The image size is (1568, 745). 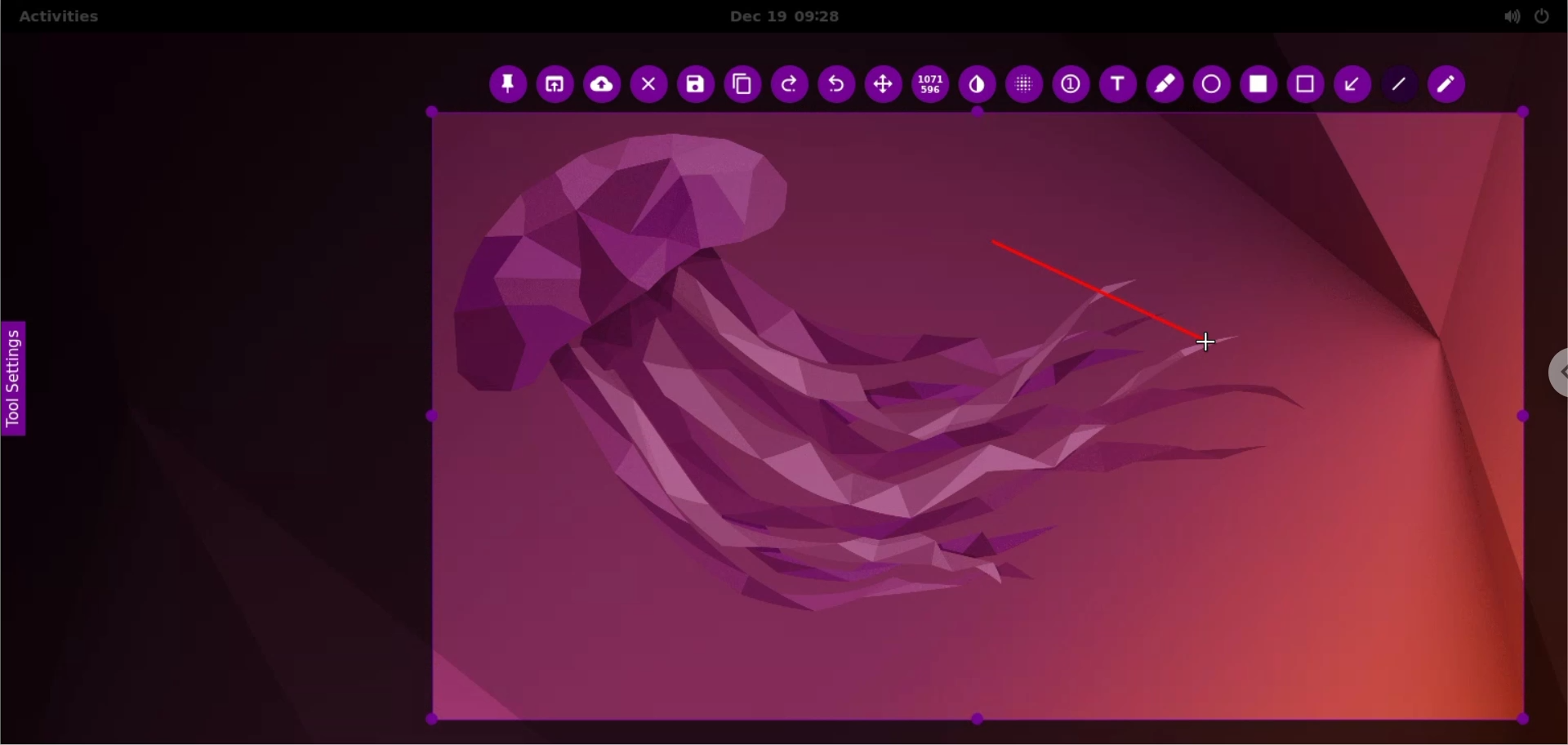 What do you see at coordinates (1212, 344) in the screenshot?
I see `cursor` at bounding box center [1212, 344].